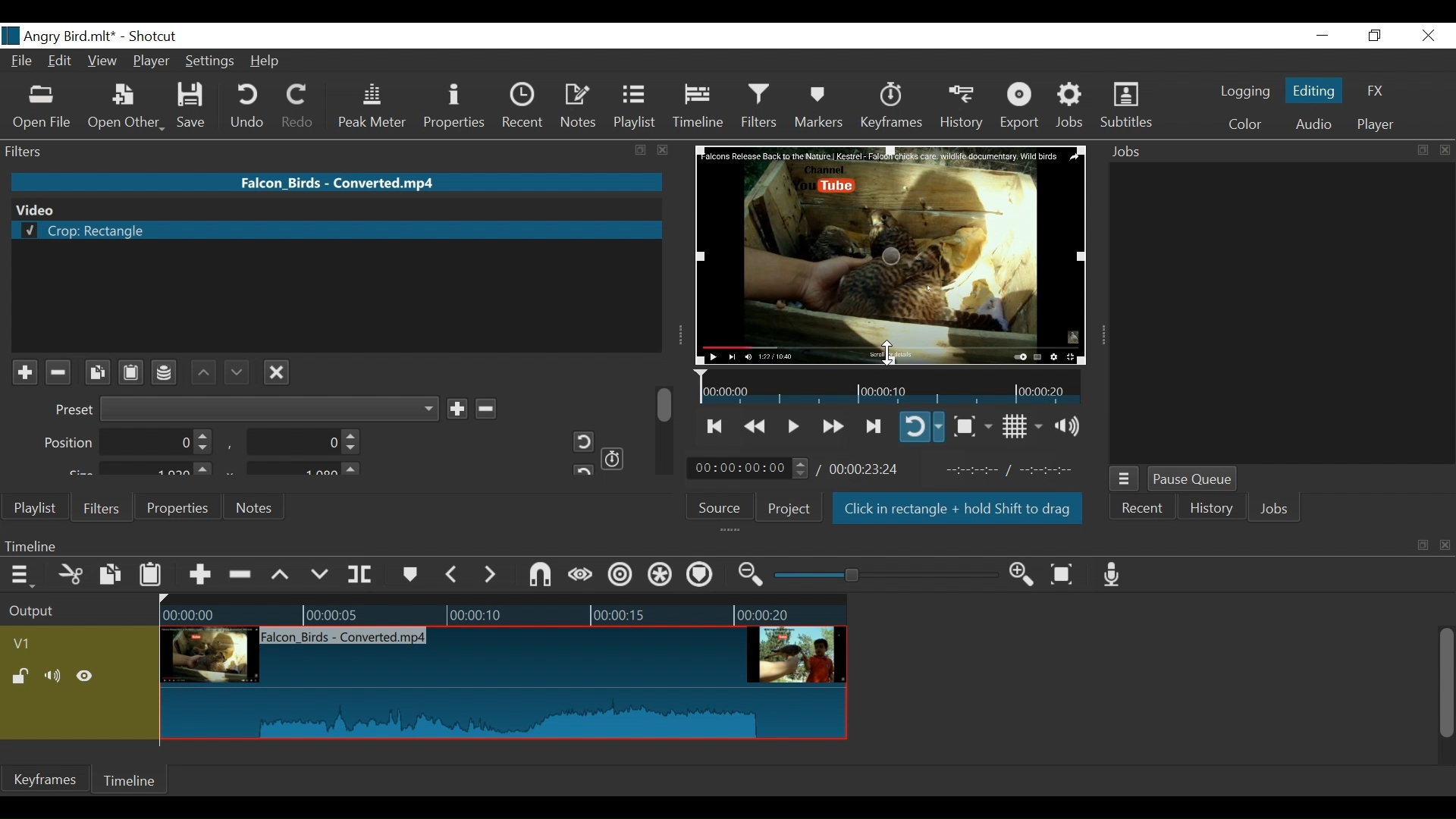  I want to click on minimize, so click(1322, 36).